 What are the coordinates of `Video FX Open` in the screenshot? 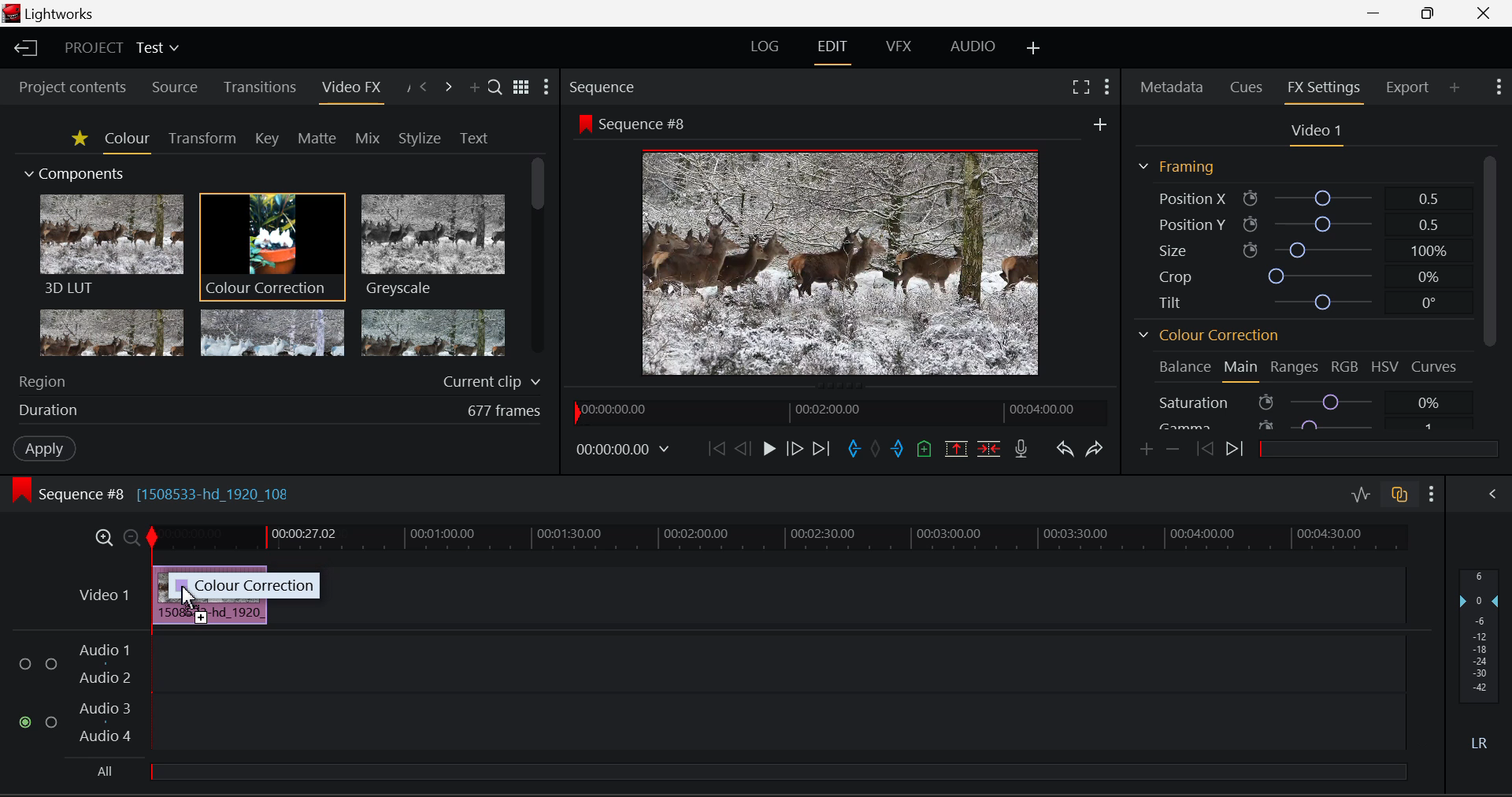 It's located at (353, 91).